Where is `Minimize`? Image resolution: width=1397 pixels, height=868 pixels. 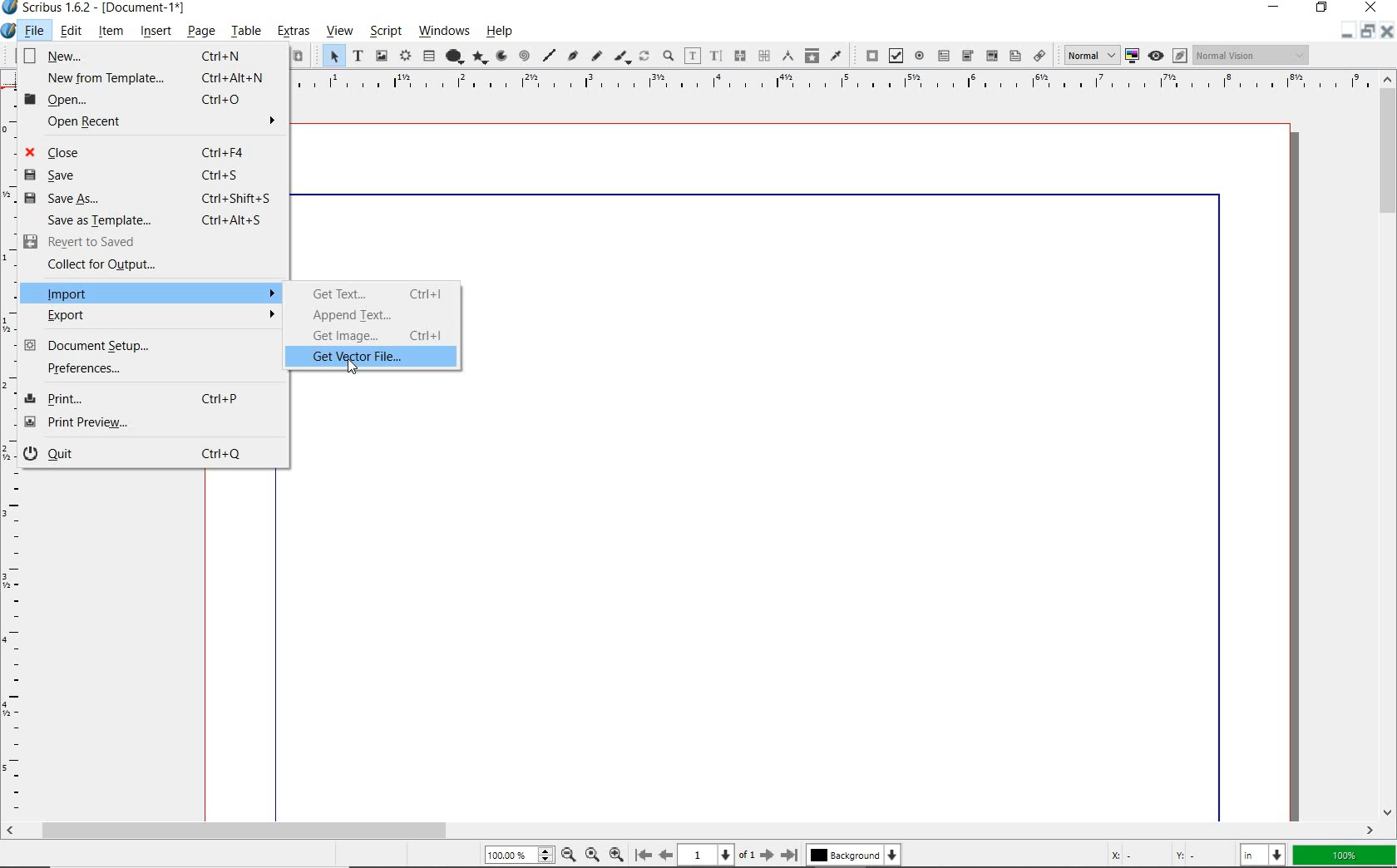 Minimize is located at coordinates (1367, 31).